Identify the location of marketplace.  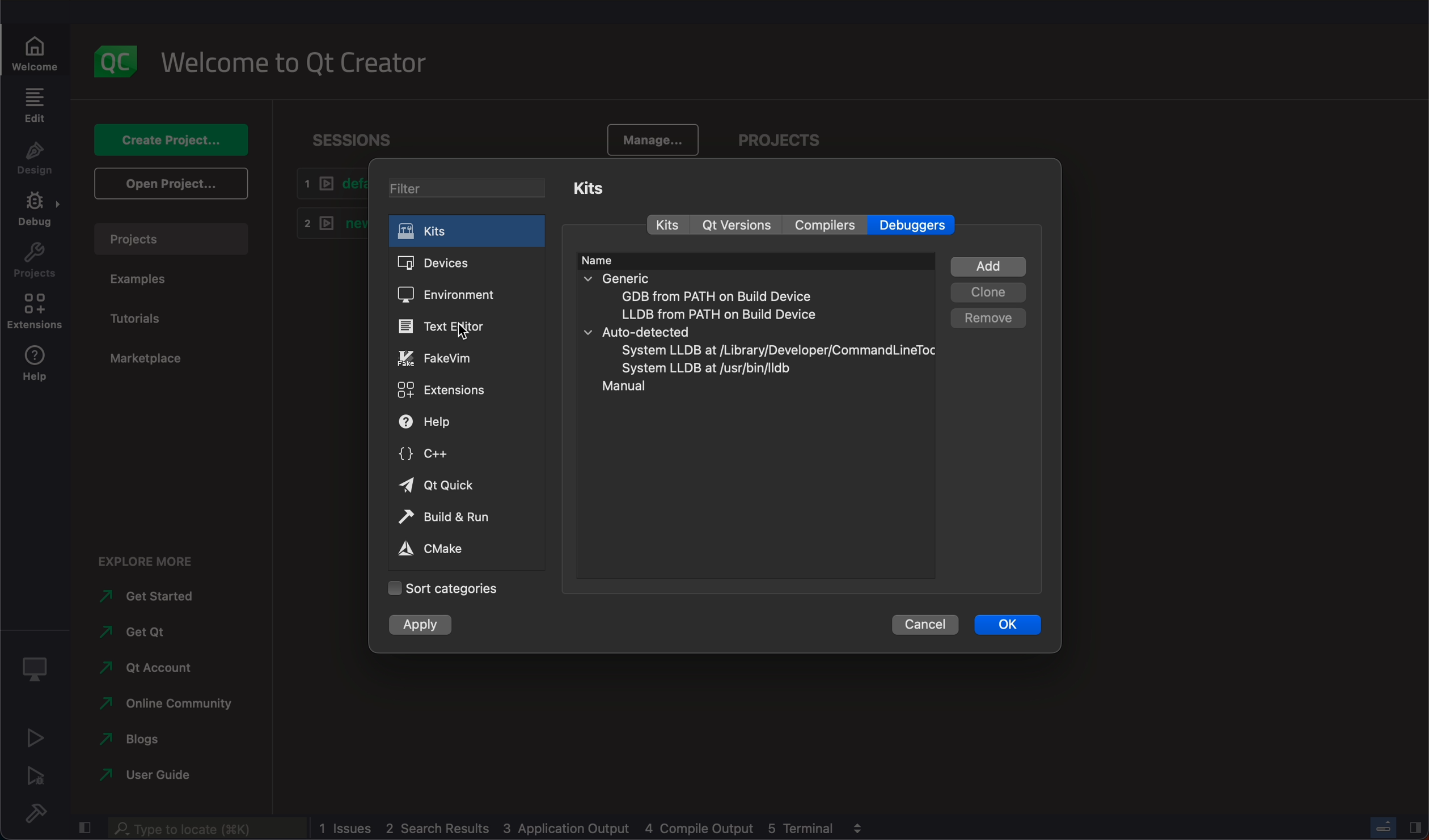
(146, 360).